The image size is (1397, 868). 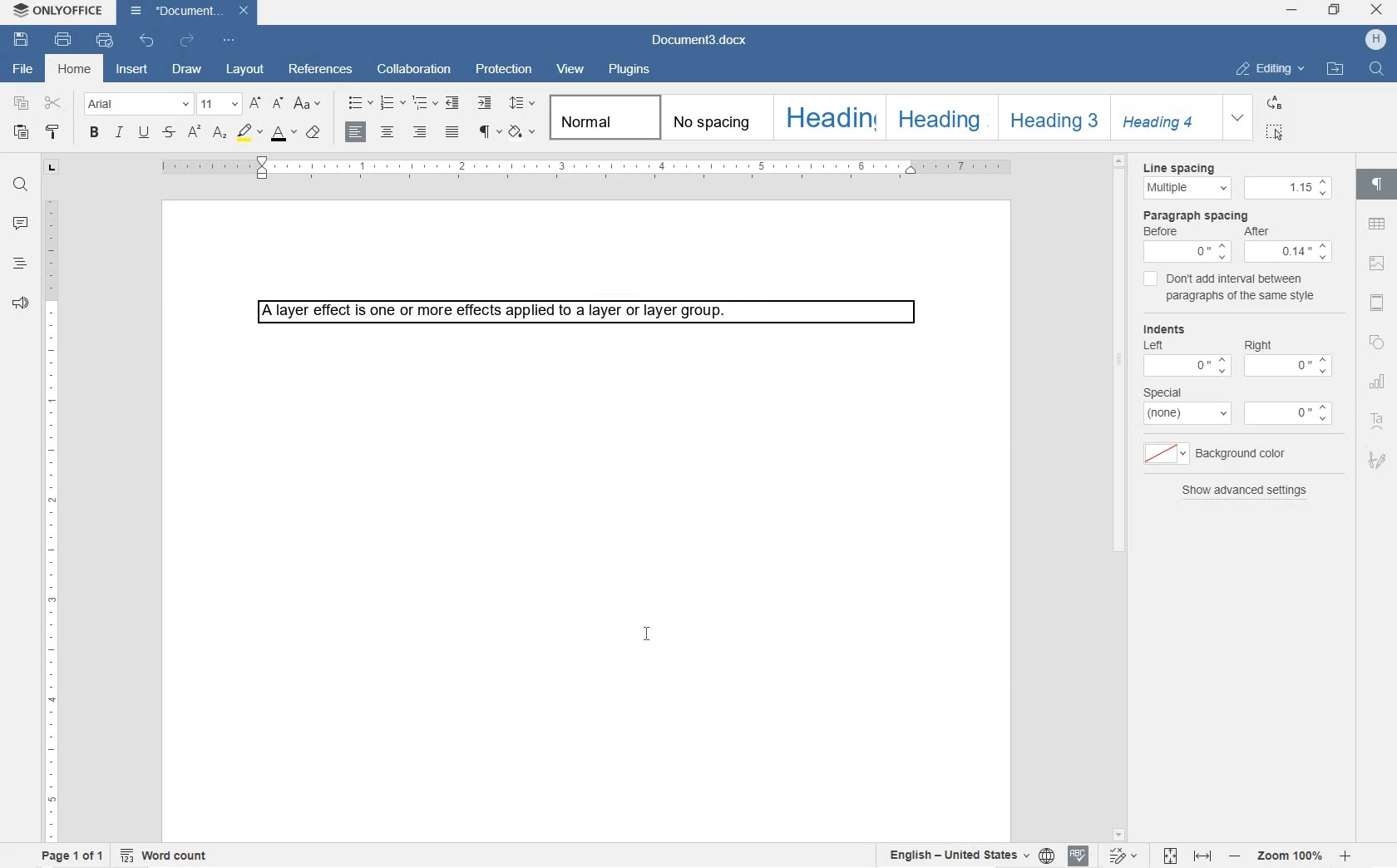 What do you see at coordinates (1187, 245) in the screenshot?
I see `Before` at bounding box center [1187, 245].